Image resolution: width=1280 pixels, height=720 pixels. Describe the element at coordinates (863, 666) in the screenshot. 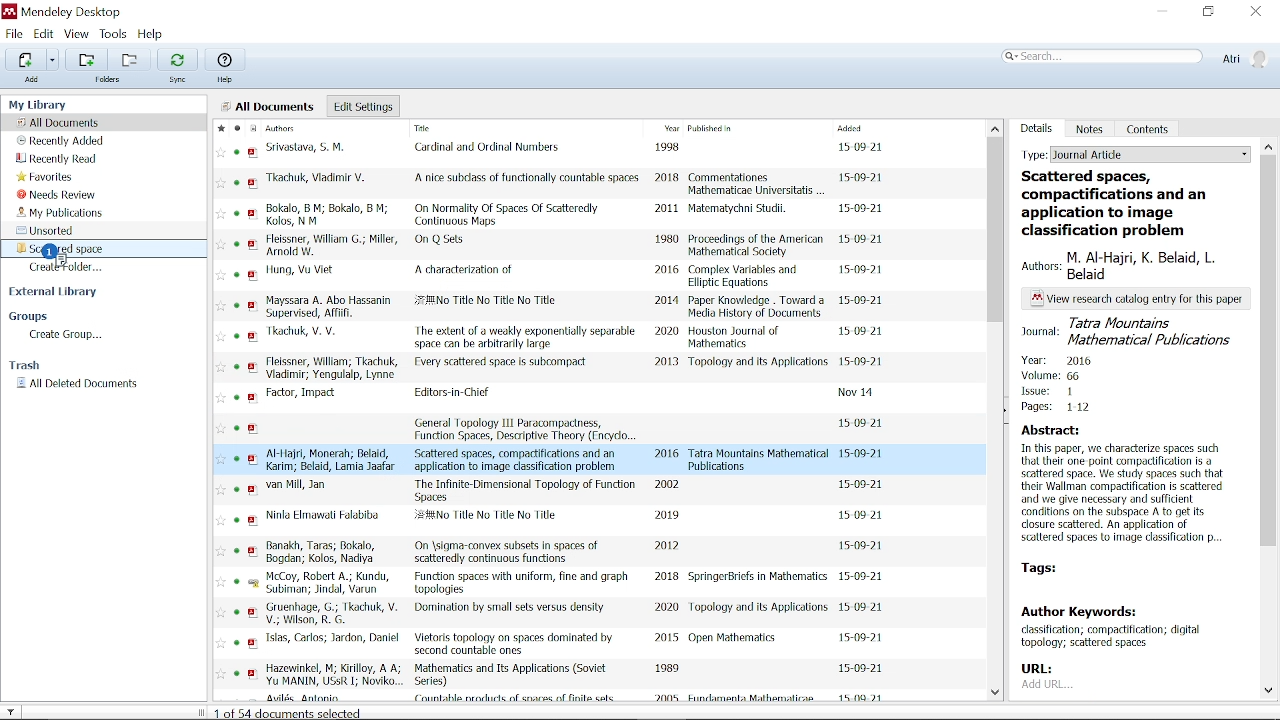

I see `Date` at that location.